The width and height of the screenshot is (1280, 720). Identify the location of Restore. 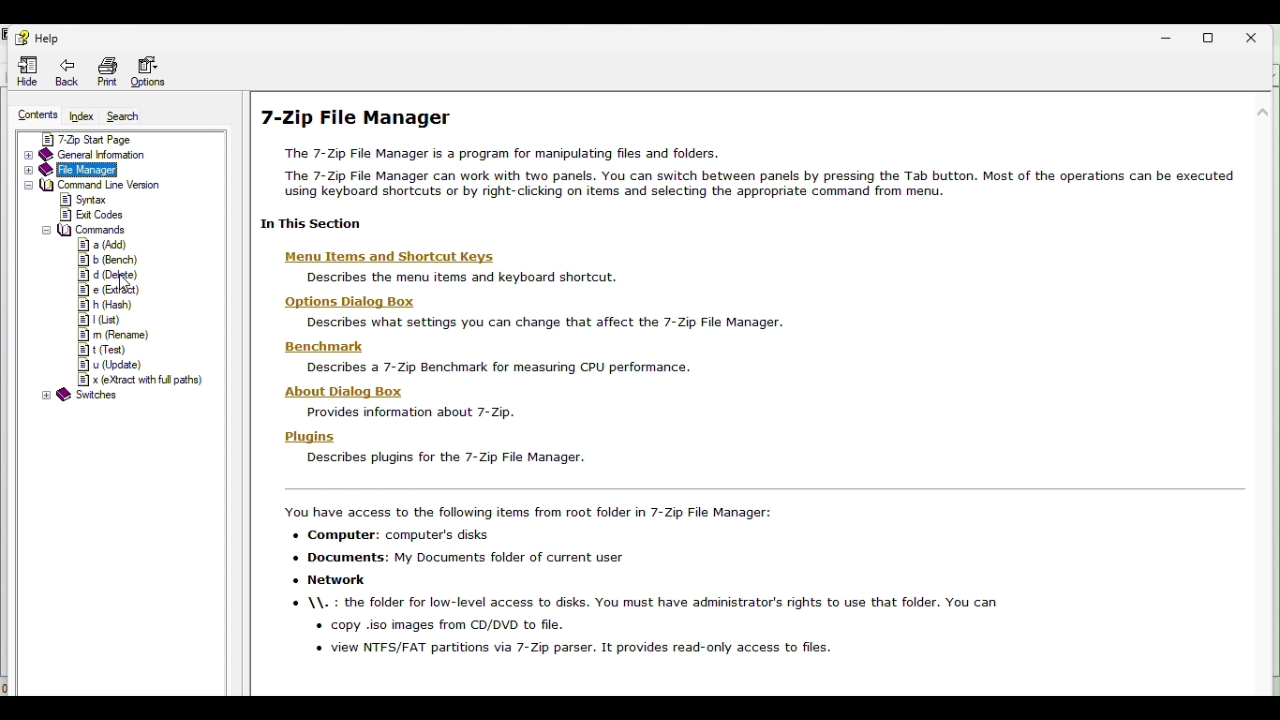
(1220, 34).